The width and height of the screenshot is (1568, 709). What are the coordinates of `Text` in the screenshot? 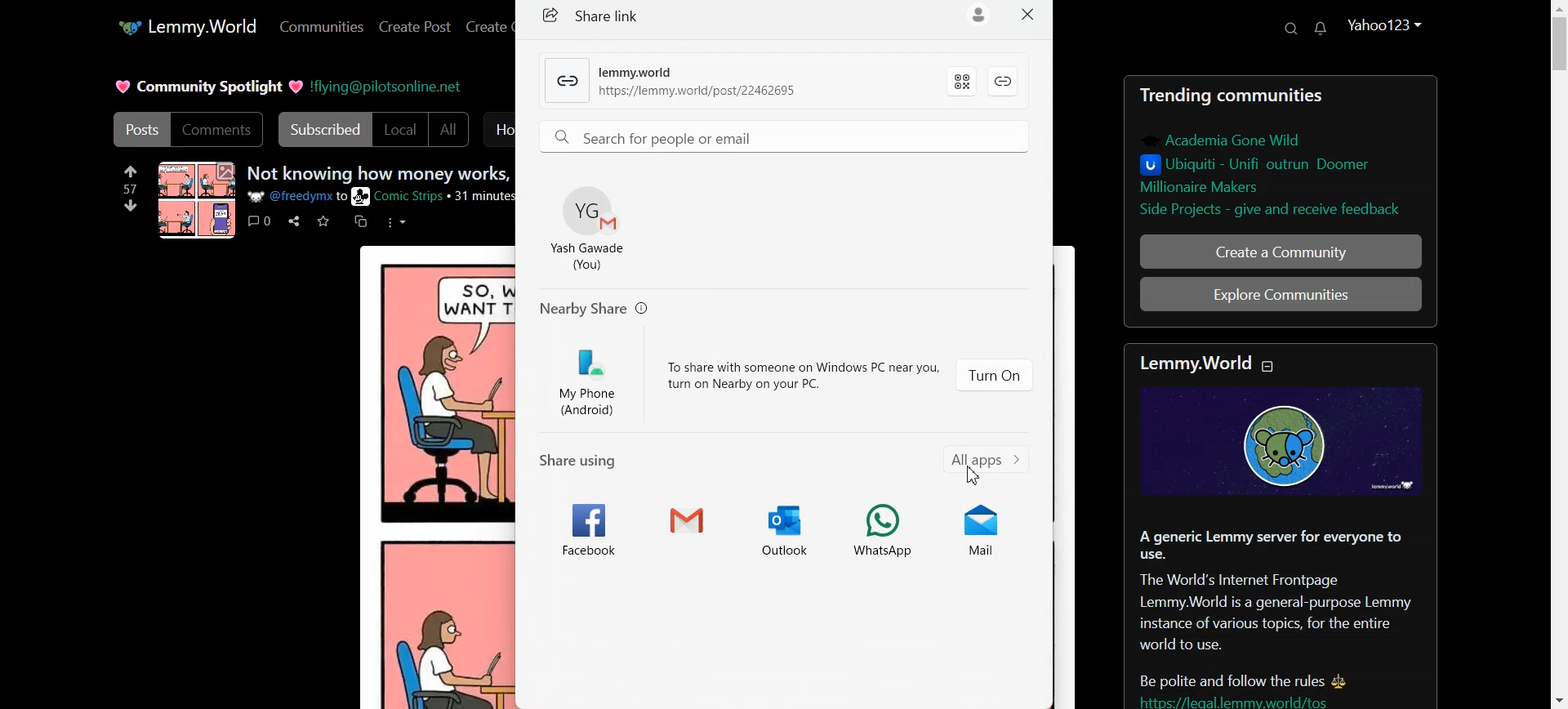 It's located at (604, 15).